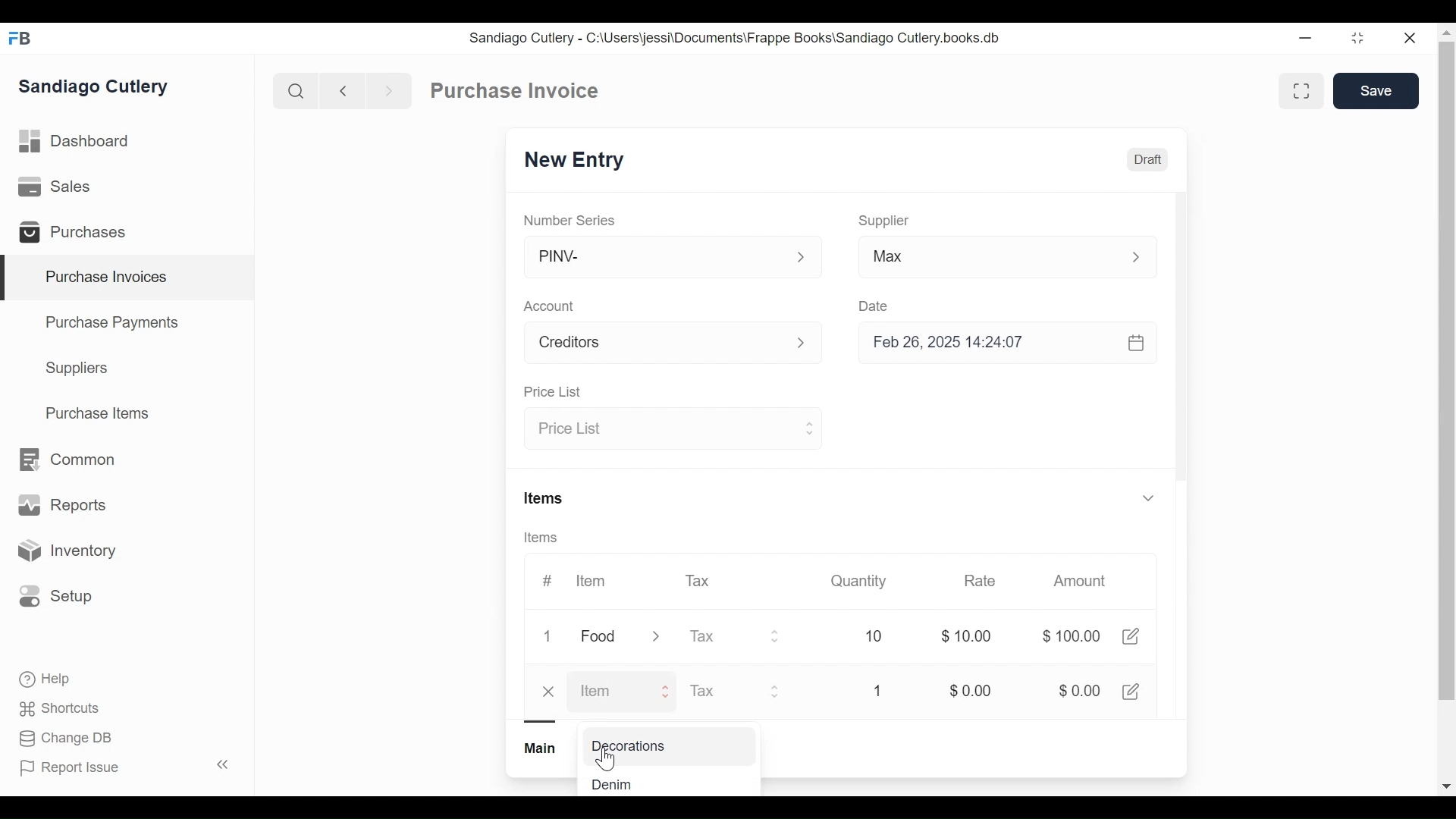  I want to click on Expand, so click(669, 690).